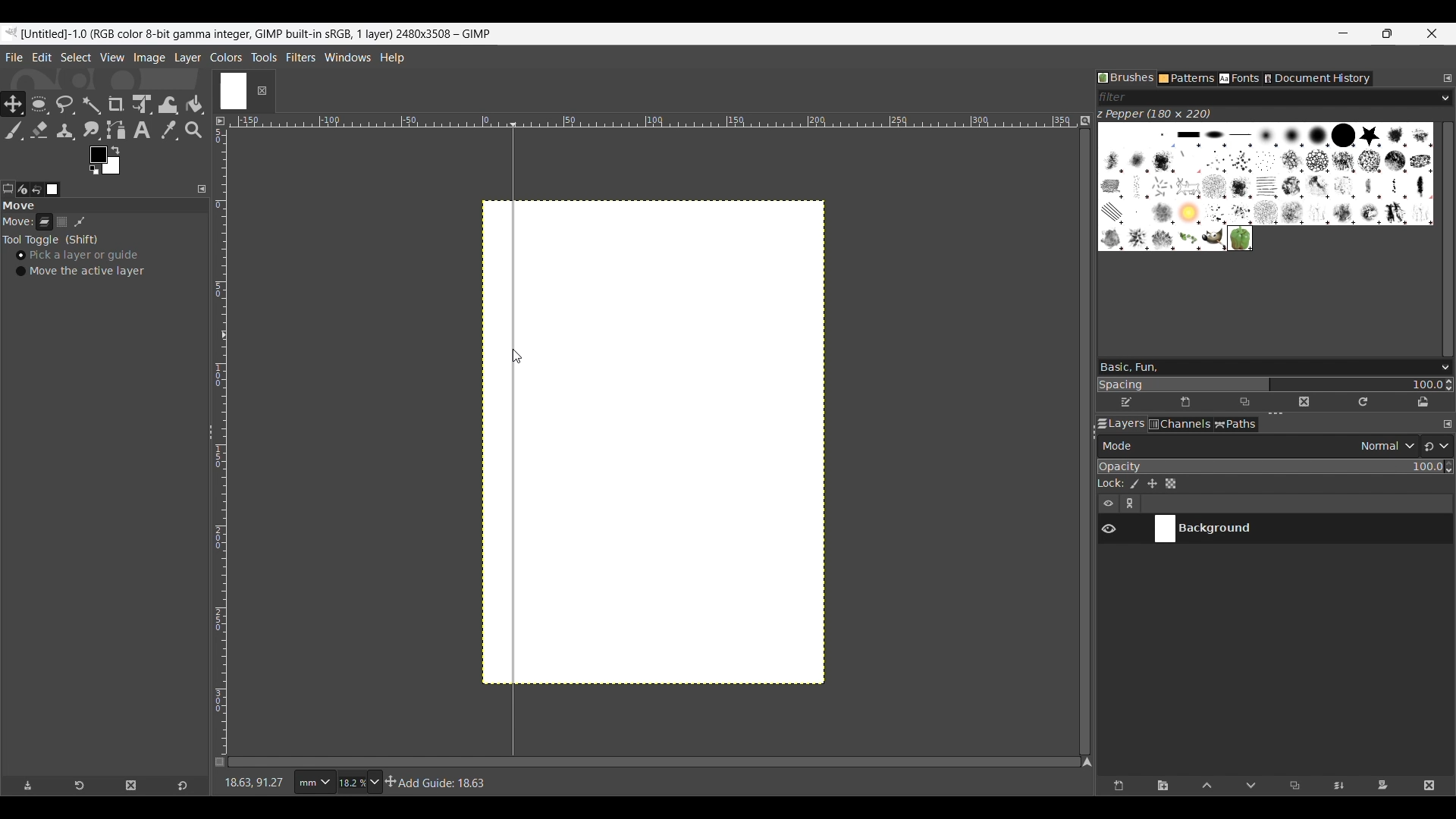 The width and height of the screenshot is (1456, 819). I want to click on Current zoom factor, so click(351, 783).